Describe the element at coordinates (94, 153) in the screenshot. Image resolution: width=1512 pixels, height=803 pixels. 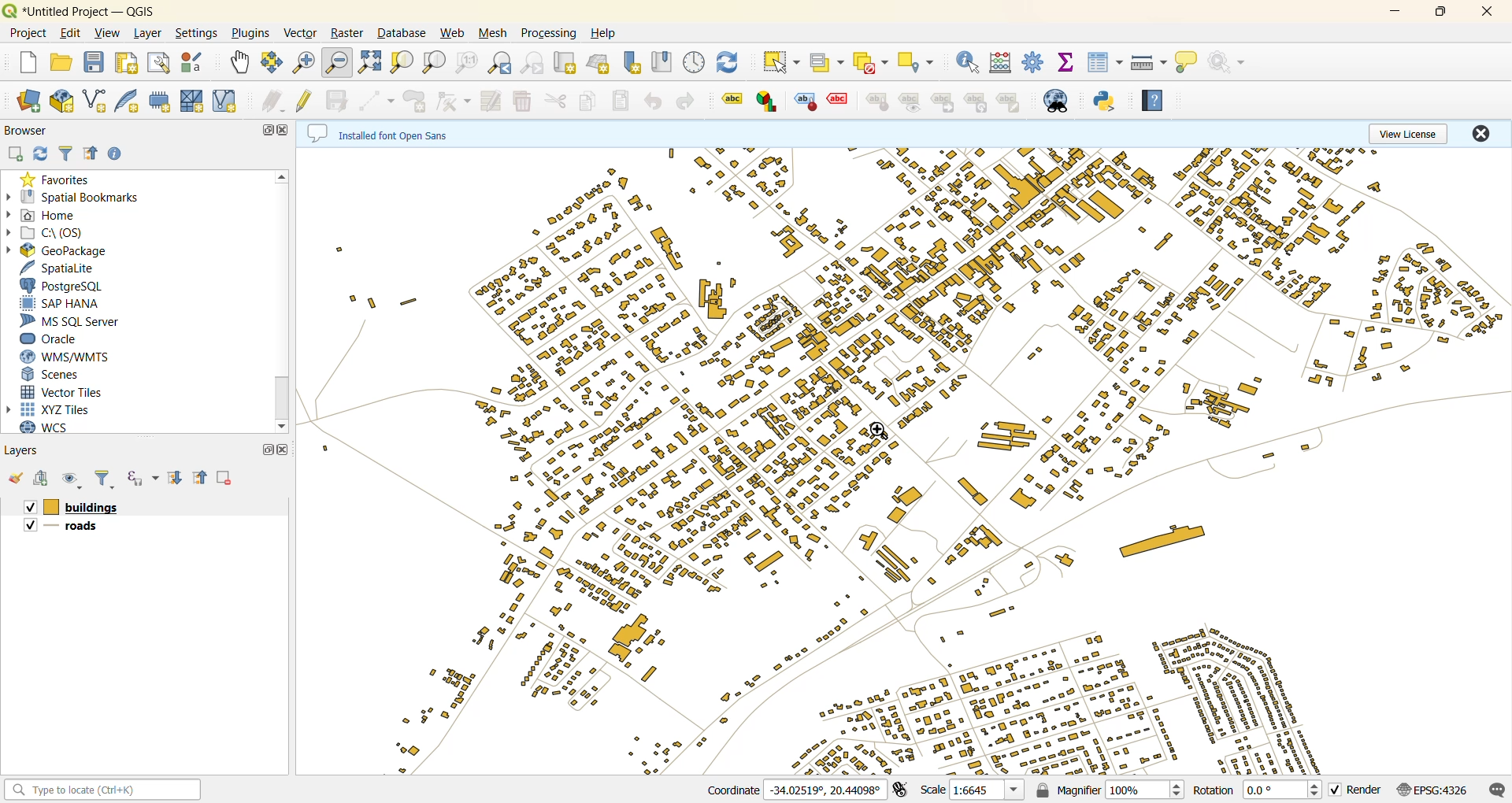
I see `collapse all` at that location.